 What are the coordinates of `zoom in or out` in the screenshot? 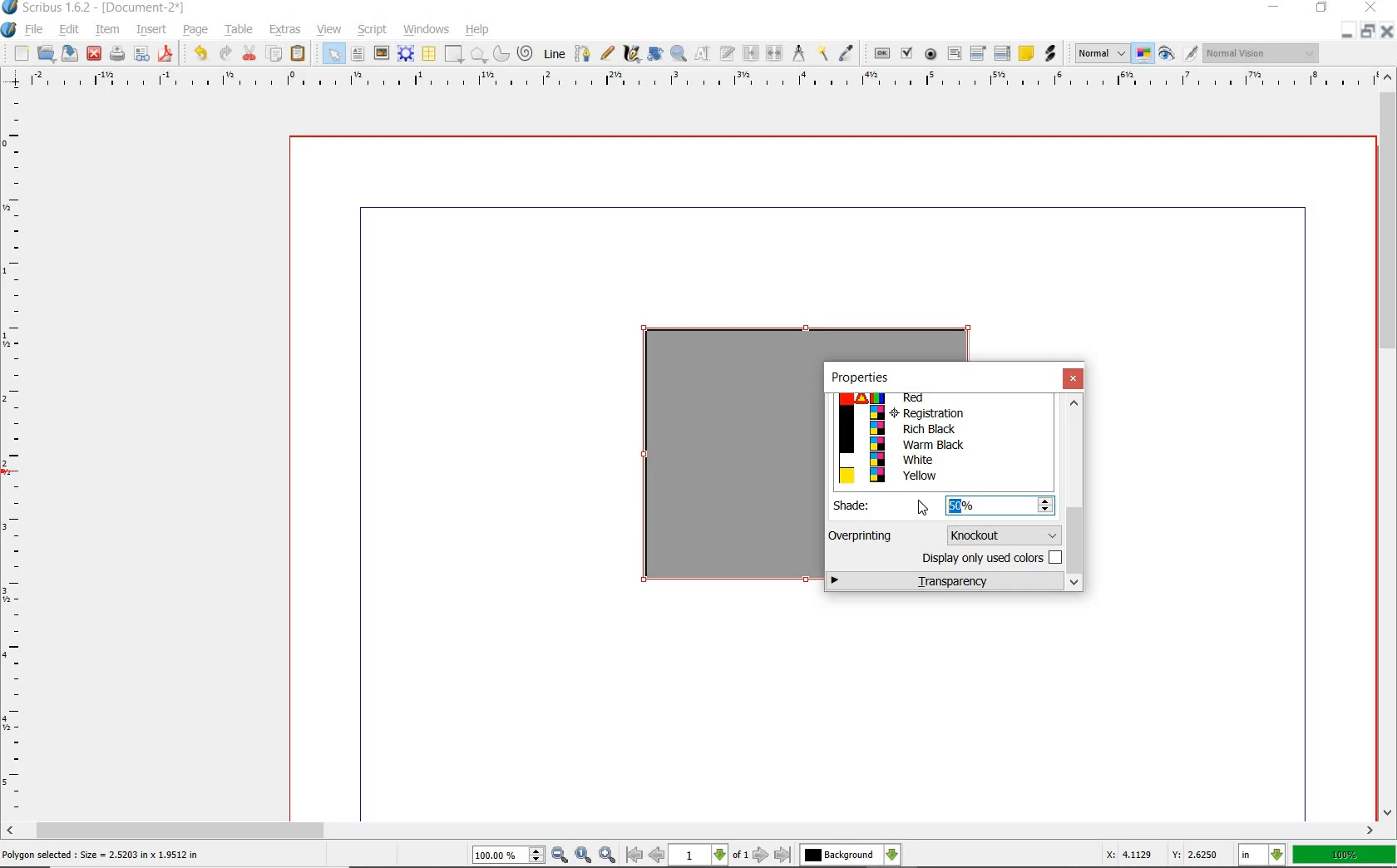 It's located at (679, 53).